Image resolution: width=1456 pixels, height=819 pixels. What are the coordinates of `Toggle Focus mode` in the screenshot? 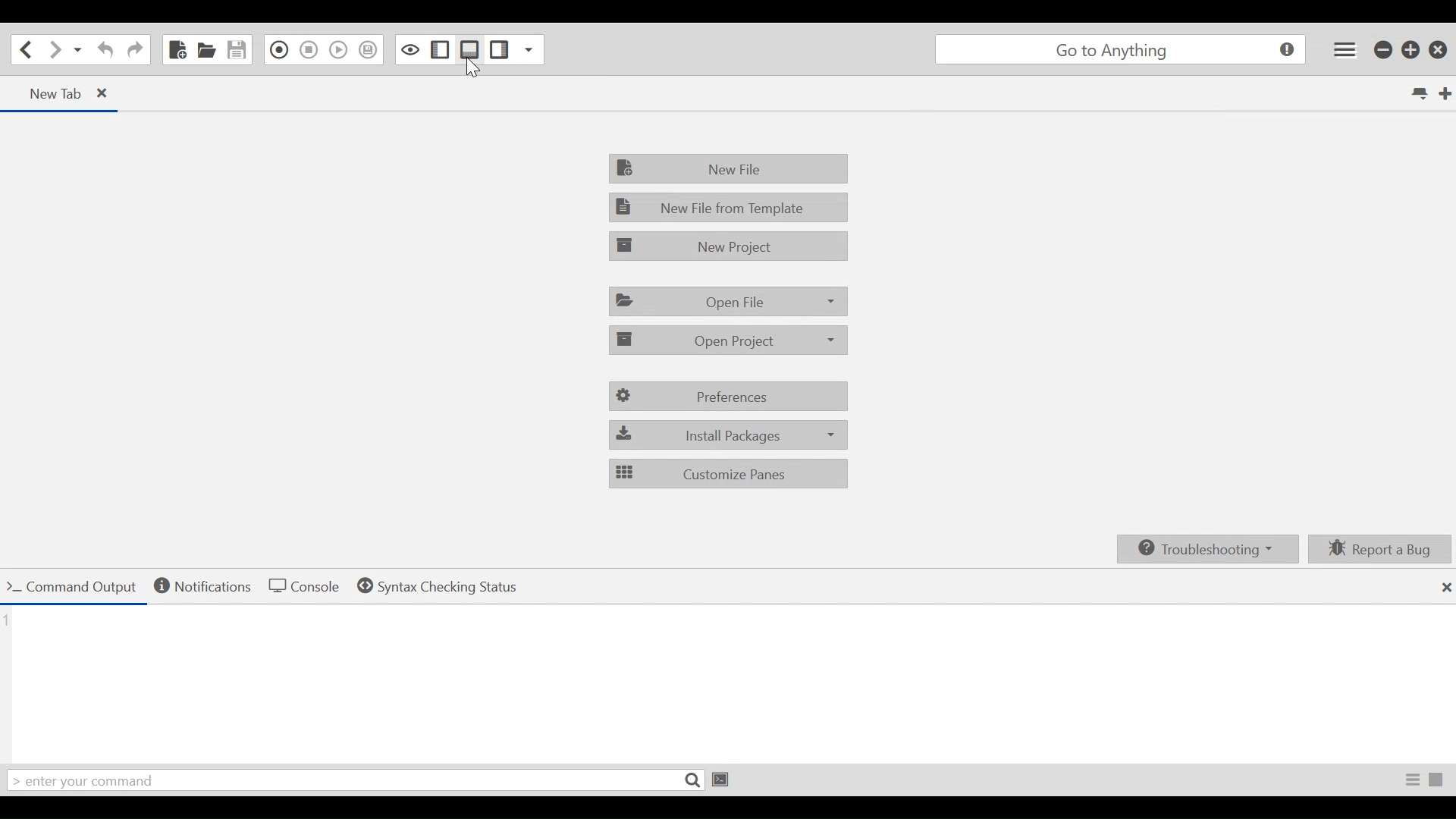 It's located at (410, 50).